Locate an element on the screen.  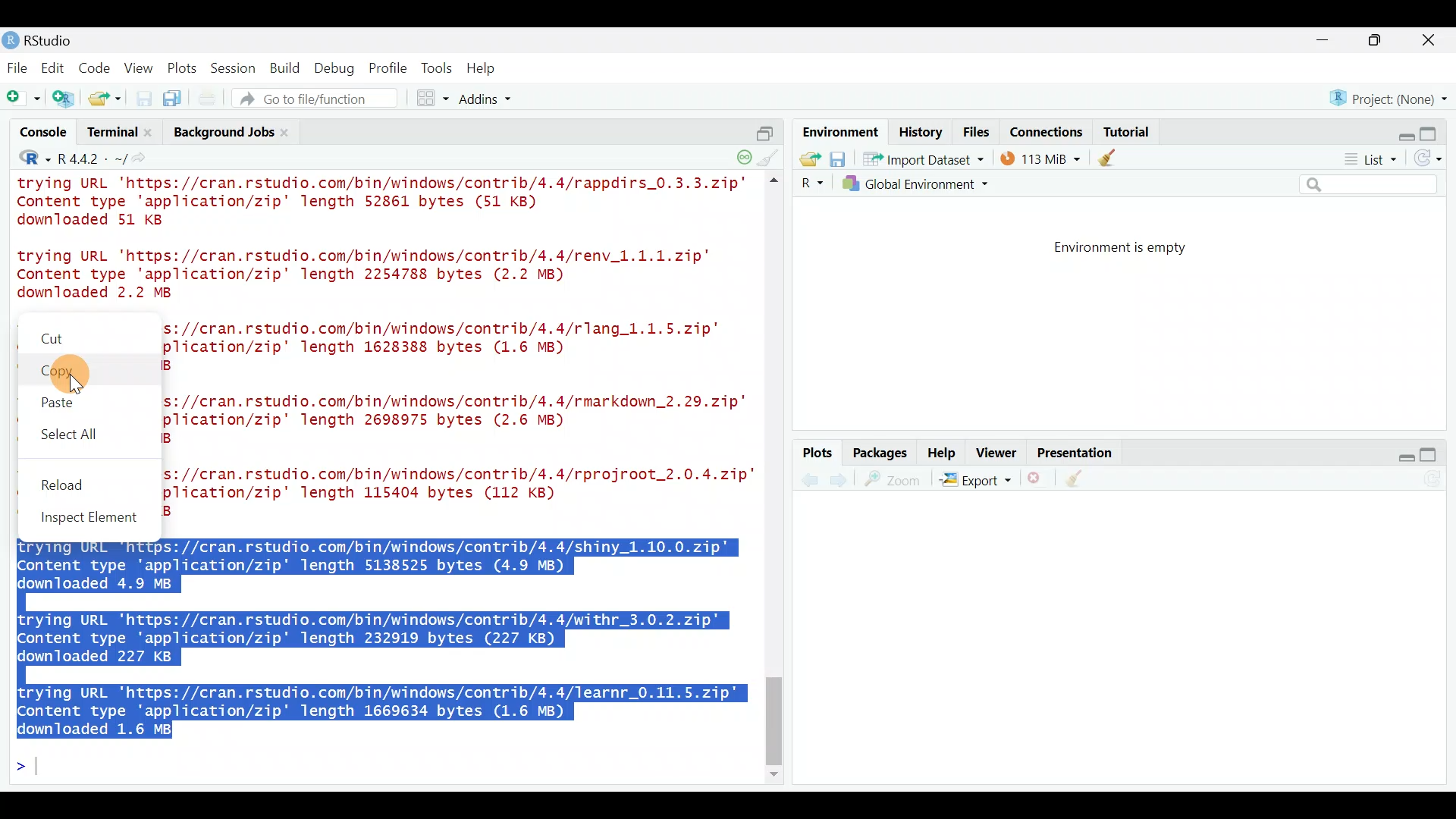
clear objects from the workspace is located at coordinates (1109, 157).